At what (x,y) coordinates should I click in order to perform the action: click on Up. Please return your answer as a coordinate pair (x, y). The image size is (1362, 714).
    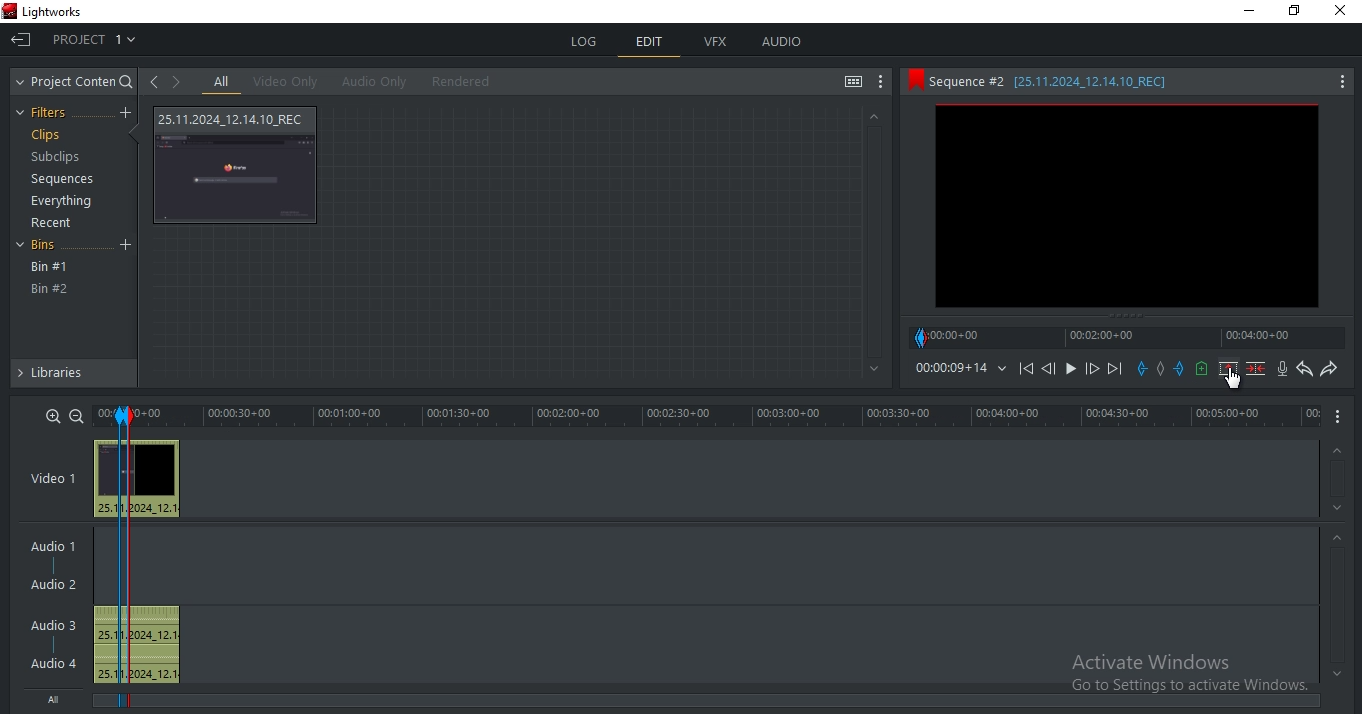
    Looking at the image, I should click on (1339, 448).